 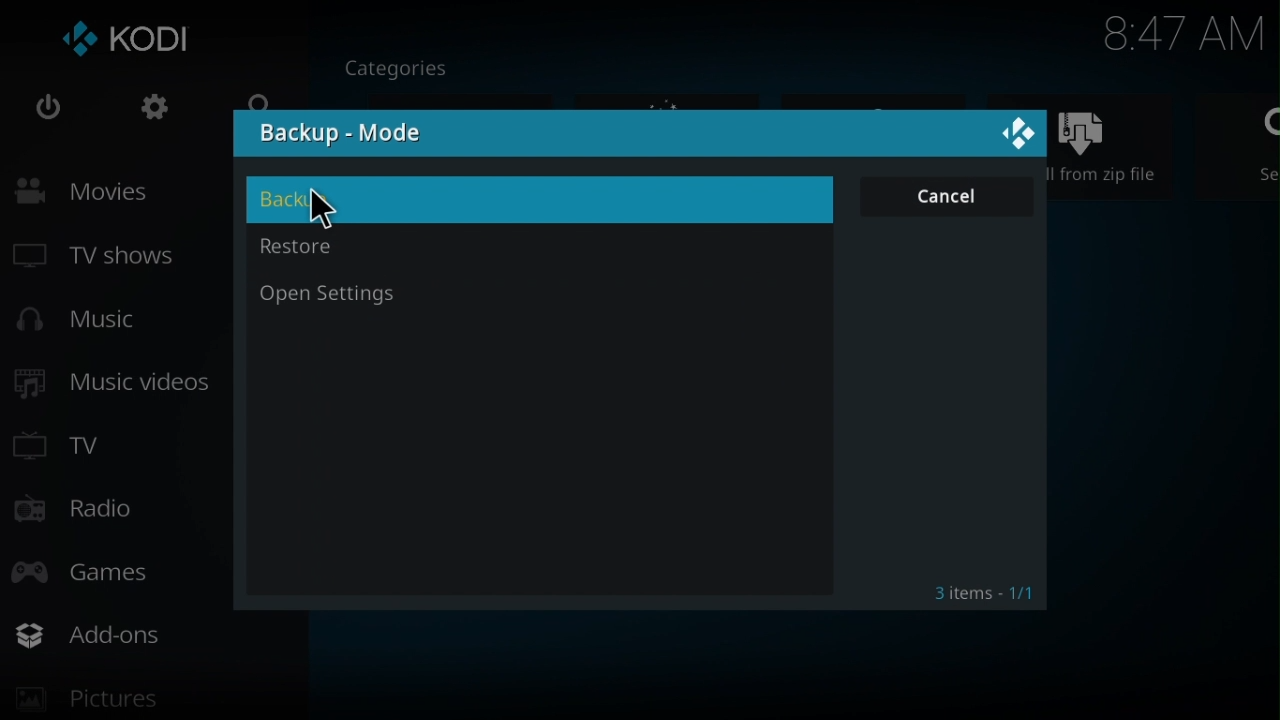 What do you see at coordinates (92, 323) in the screenshot?
I see `Music` at bounding box center [92, 323].